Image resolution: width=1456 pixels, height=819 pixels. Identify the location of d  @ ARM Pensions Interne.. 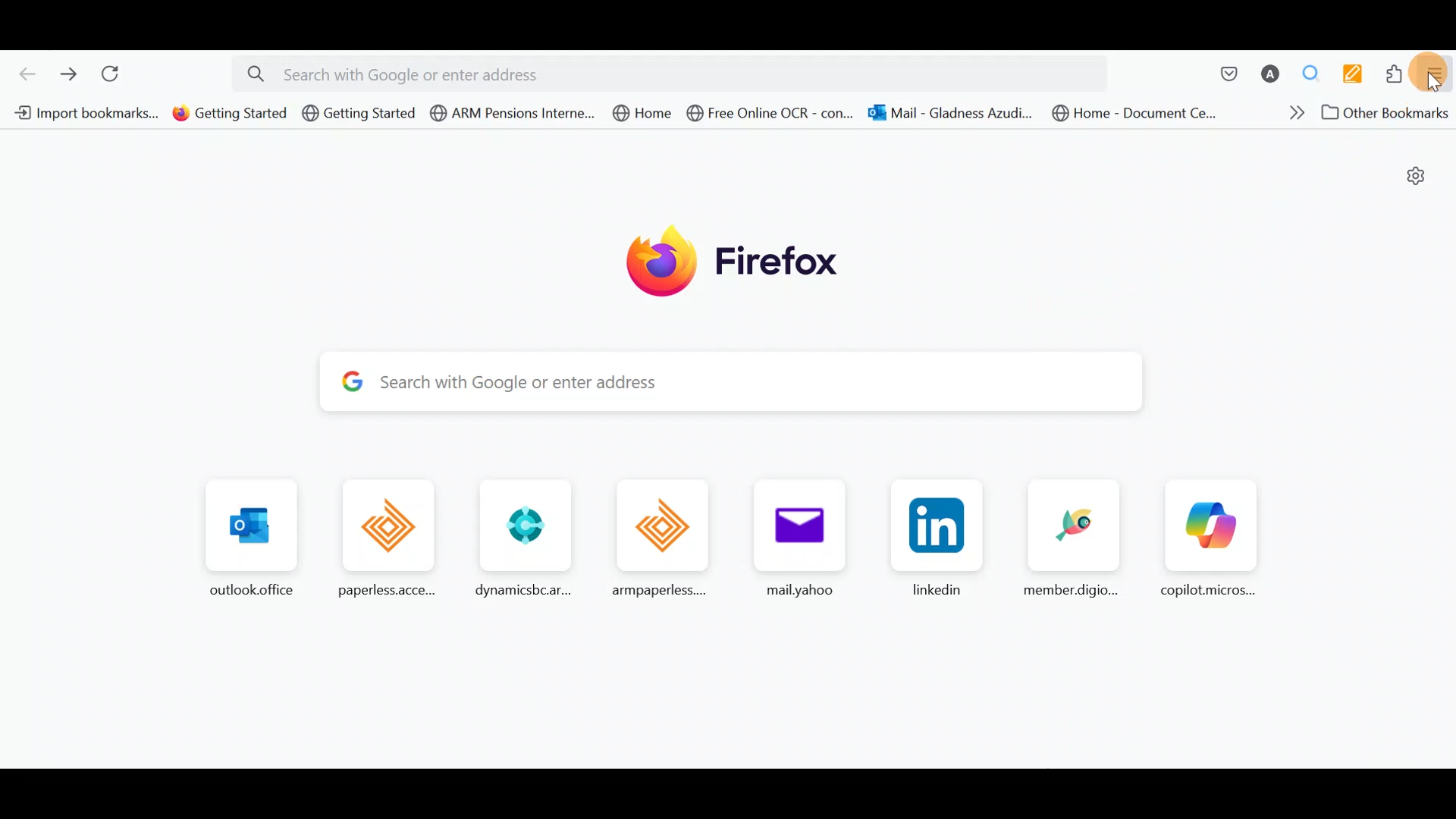
(510, 114).